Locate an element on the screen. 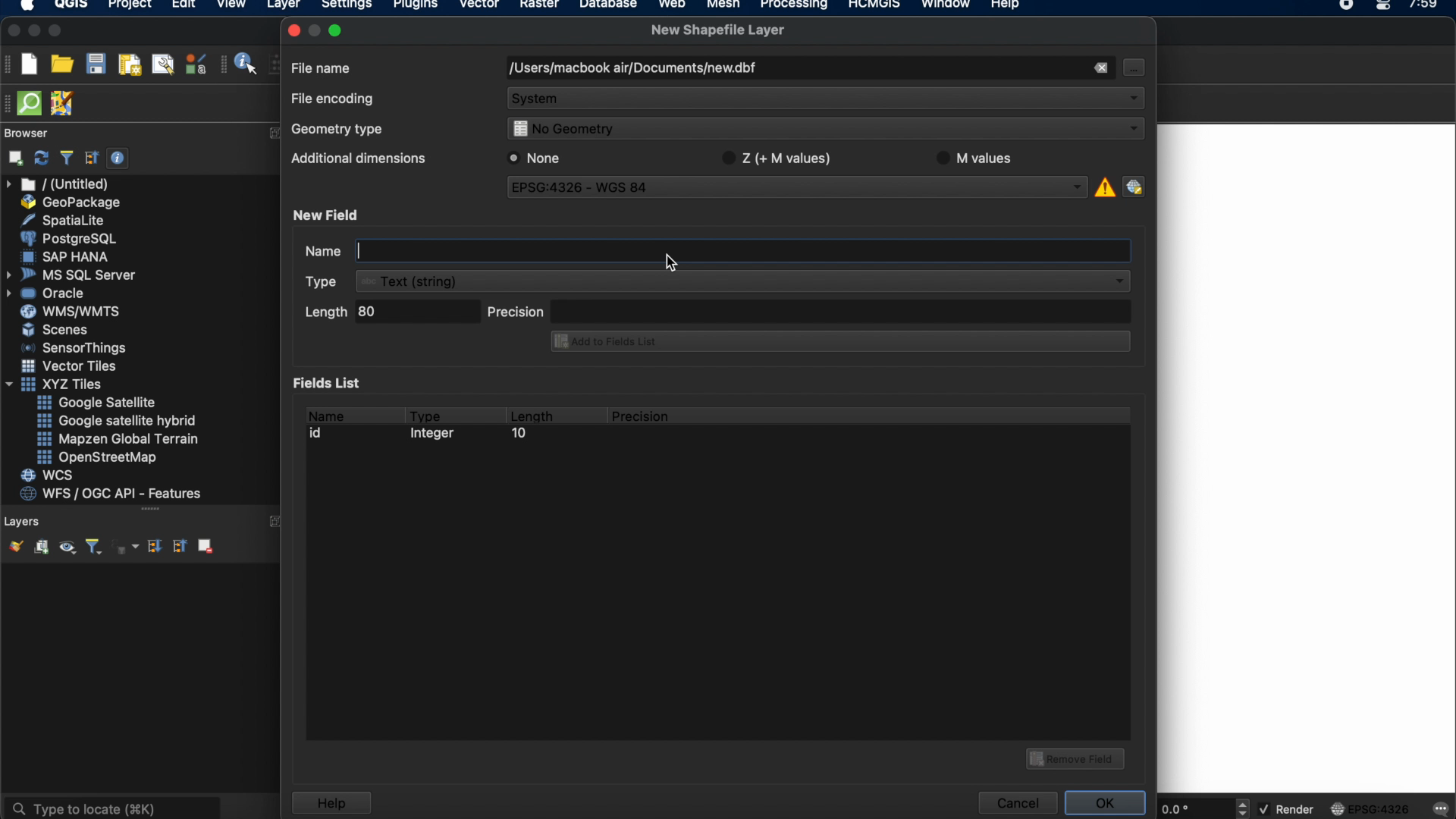 The height and width of the screenshot is (819, 1456). new project is located at coordinates (29, 64).